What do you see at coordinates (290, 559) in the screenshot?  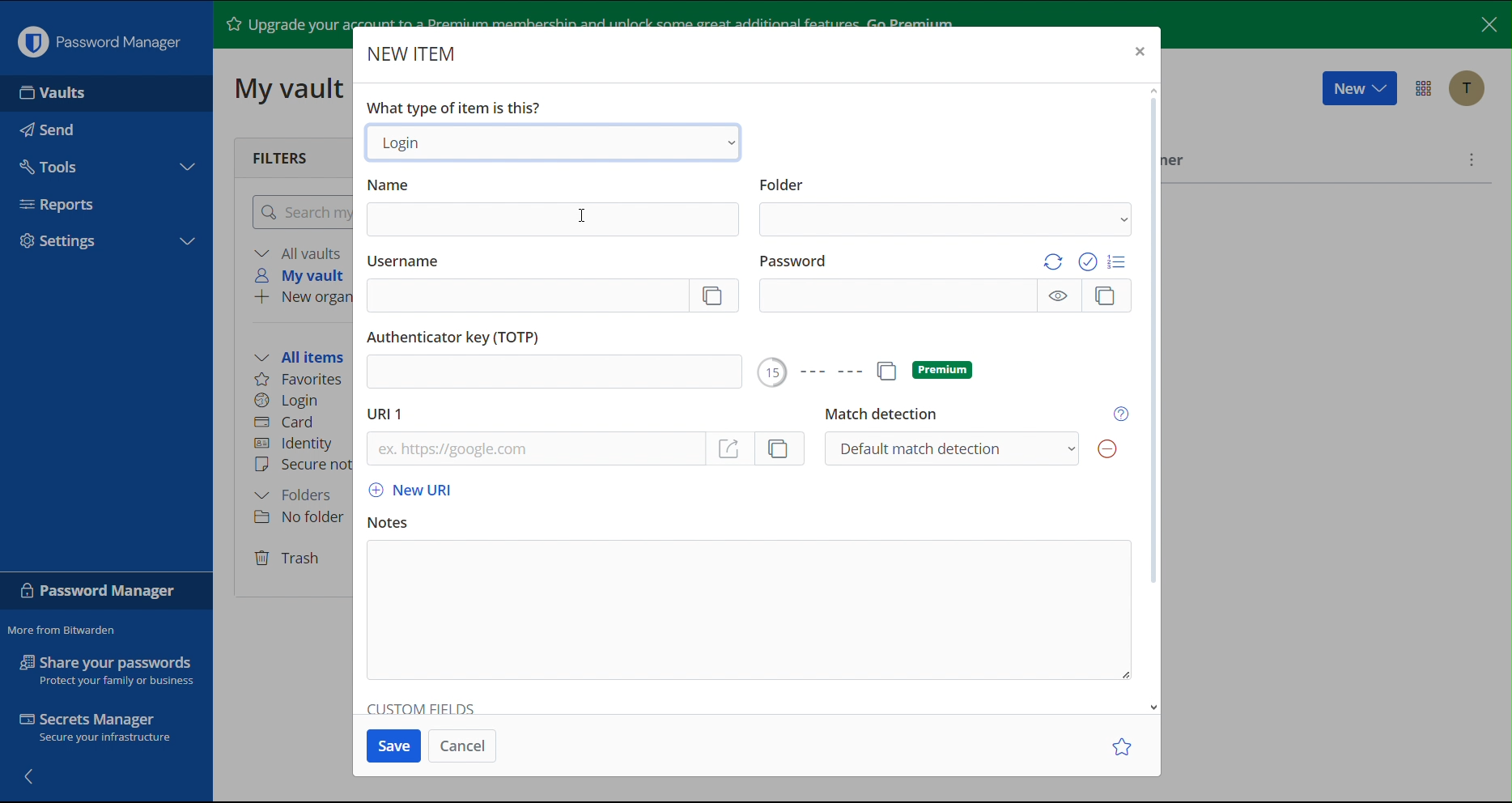 I see `Trash` at bounding box center [290, 559].